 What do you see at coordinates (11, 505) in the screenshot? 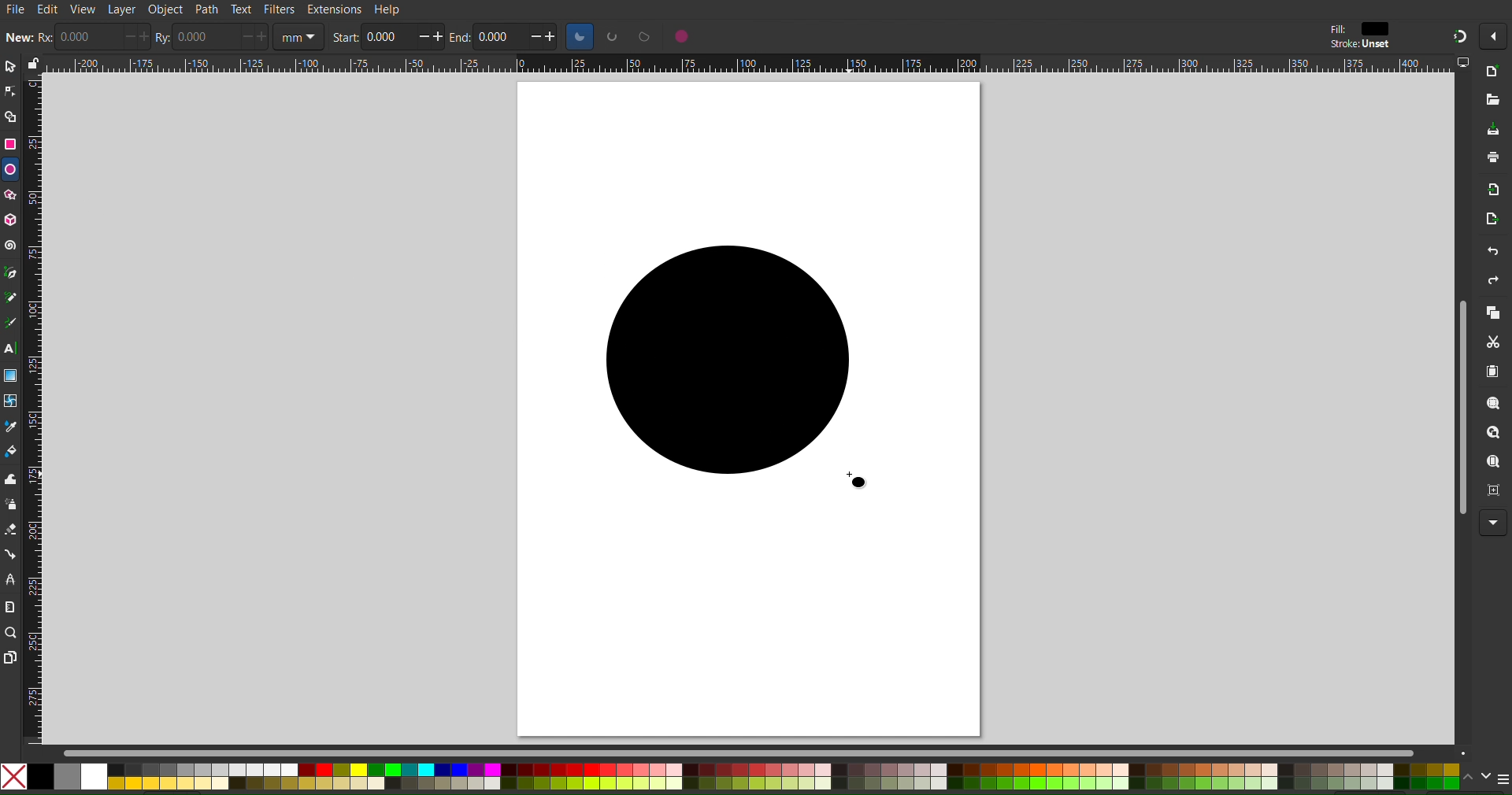
I see `Spray Tool` at bounding box center [11, 505].